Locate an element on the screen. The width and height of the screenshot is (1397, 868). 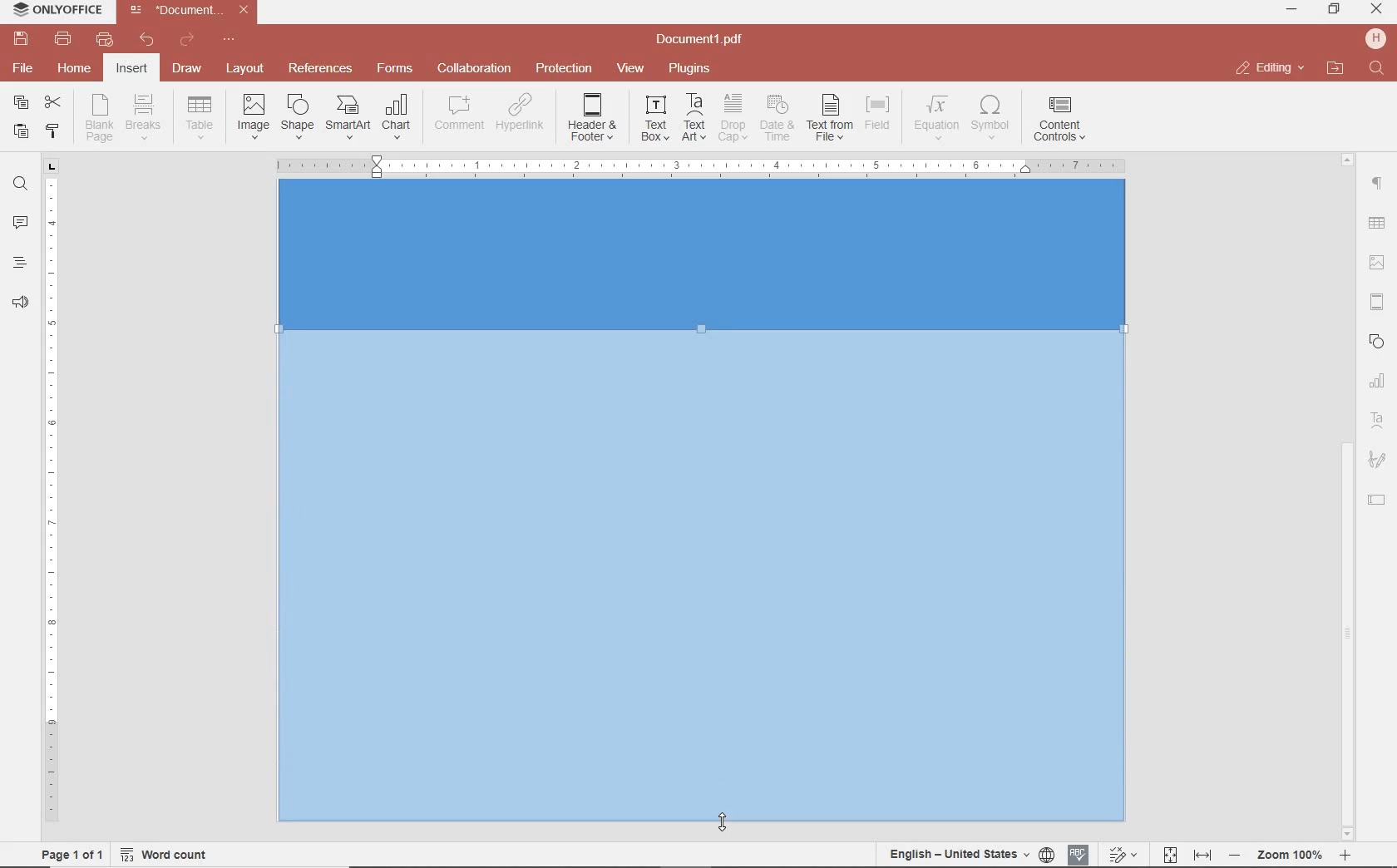
CHART is located at coordinates (1378, 382).